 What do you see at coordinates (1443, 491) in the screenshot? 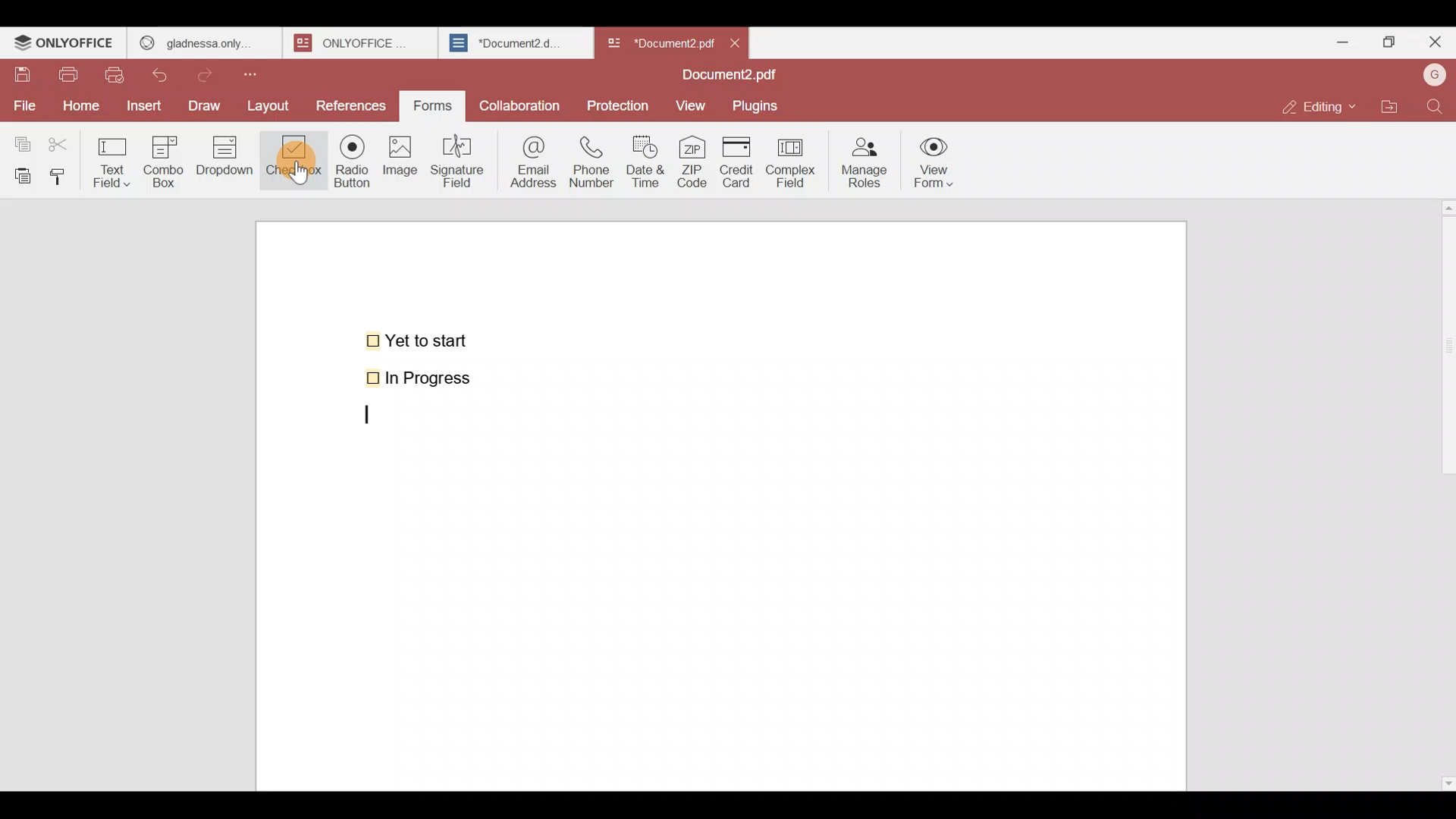
I see `Scroll bar` at bounding box center [1443, 491].